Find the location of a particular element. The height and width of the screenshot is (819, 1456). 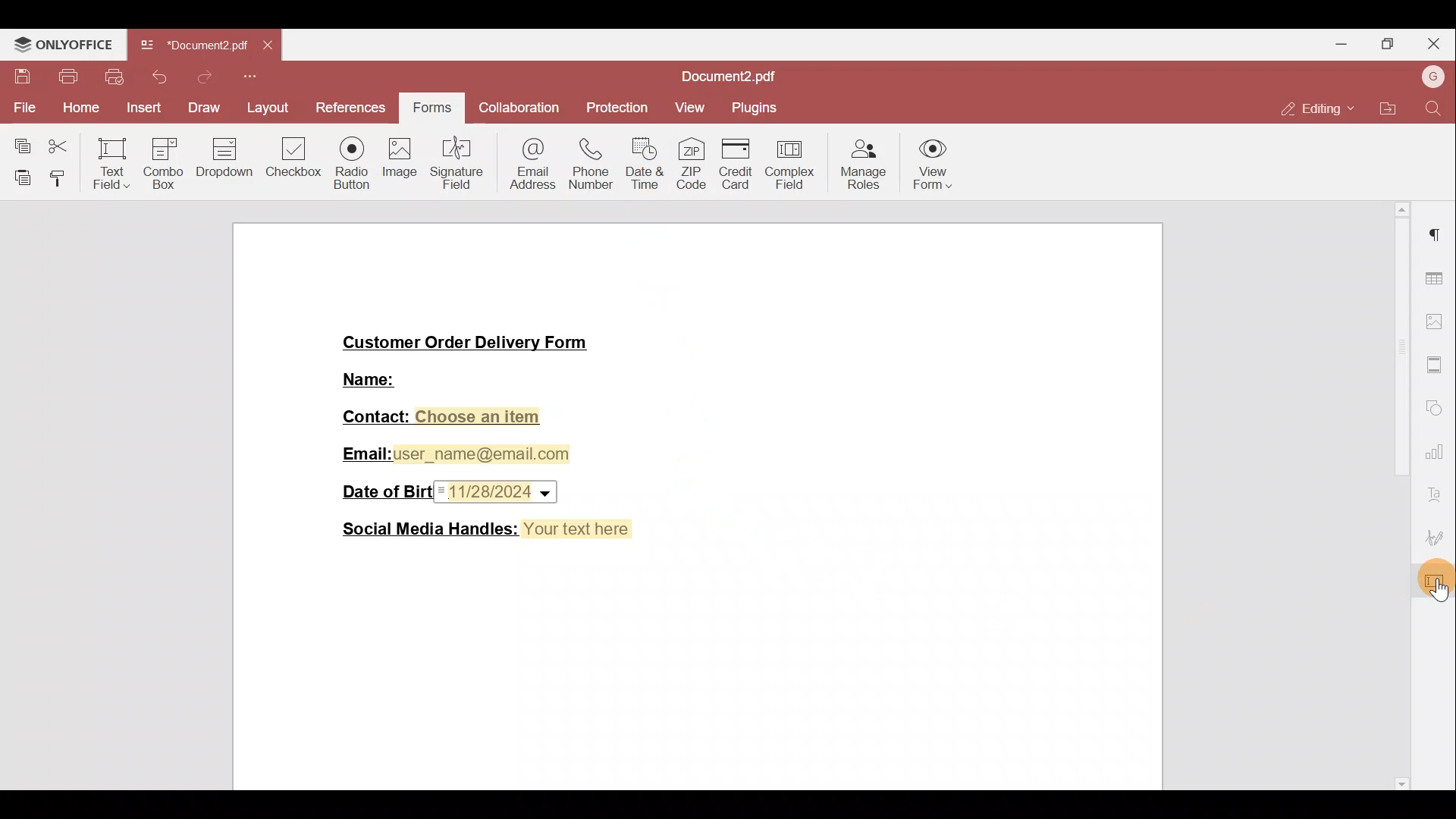

Redo is located at coordinates (199, 81).